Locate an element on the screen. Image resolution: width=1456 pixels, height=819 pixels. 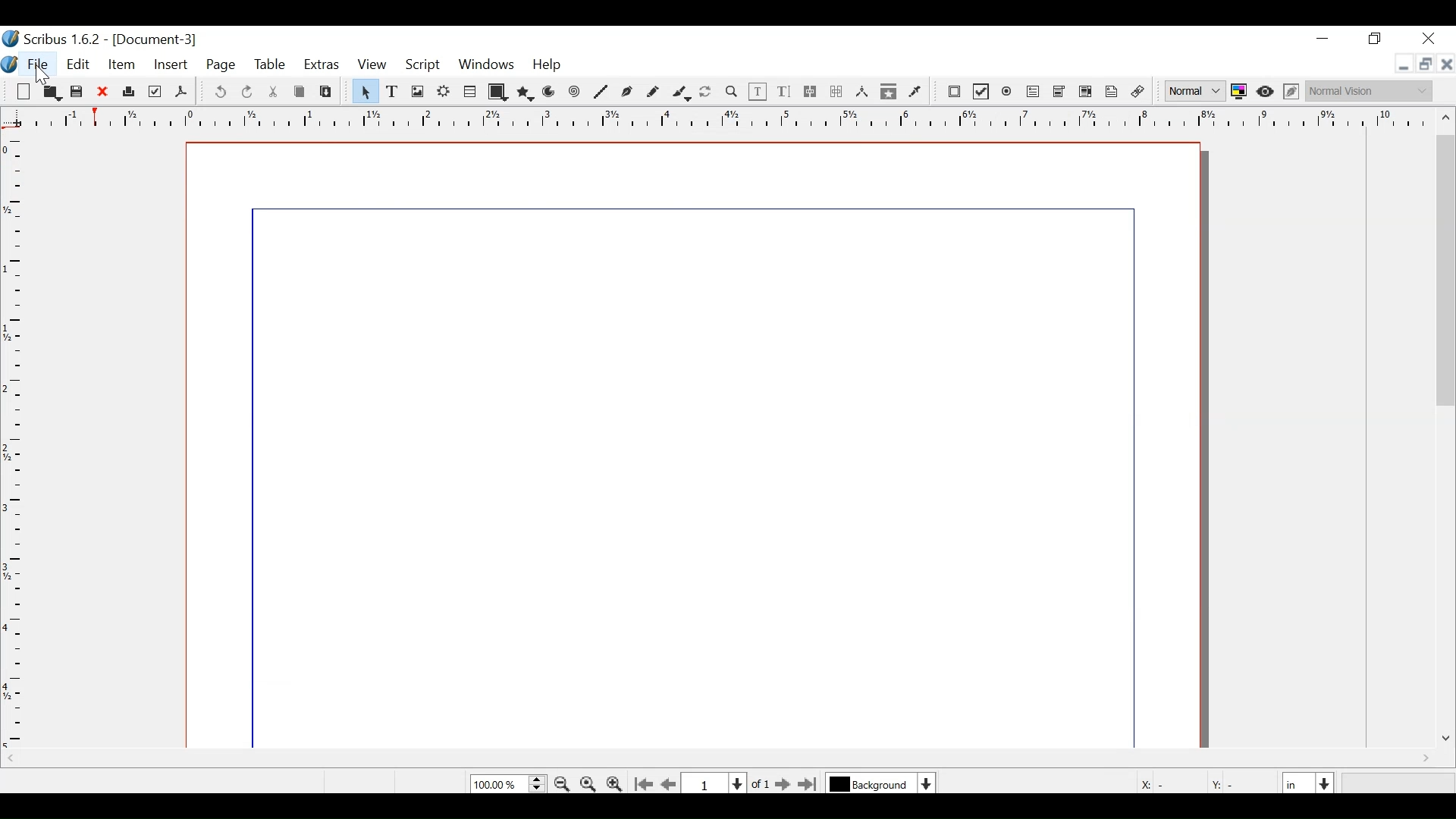
Zoom in / out is located at coordinates (731, 91).